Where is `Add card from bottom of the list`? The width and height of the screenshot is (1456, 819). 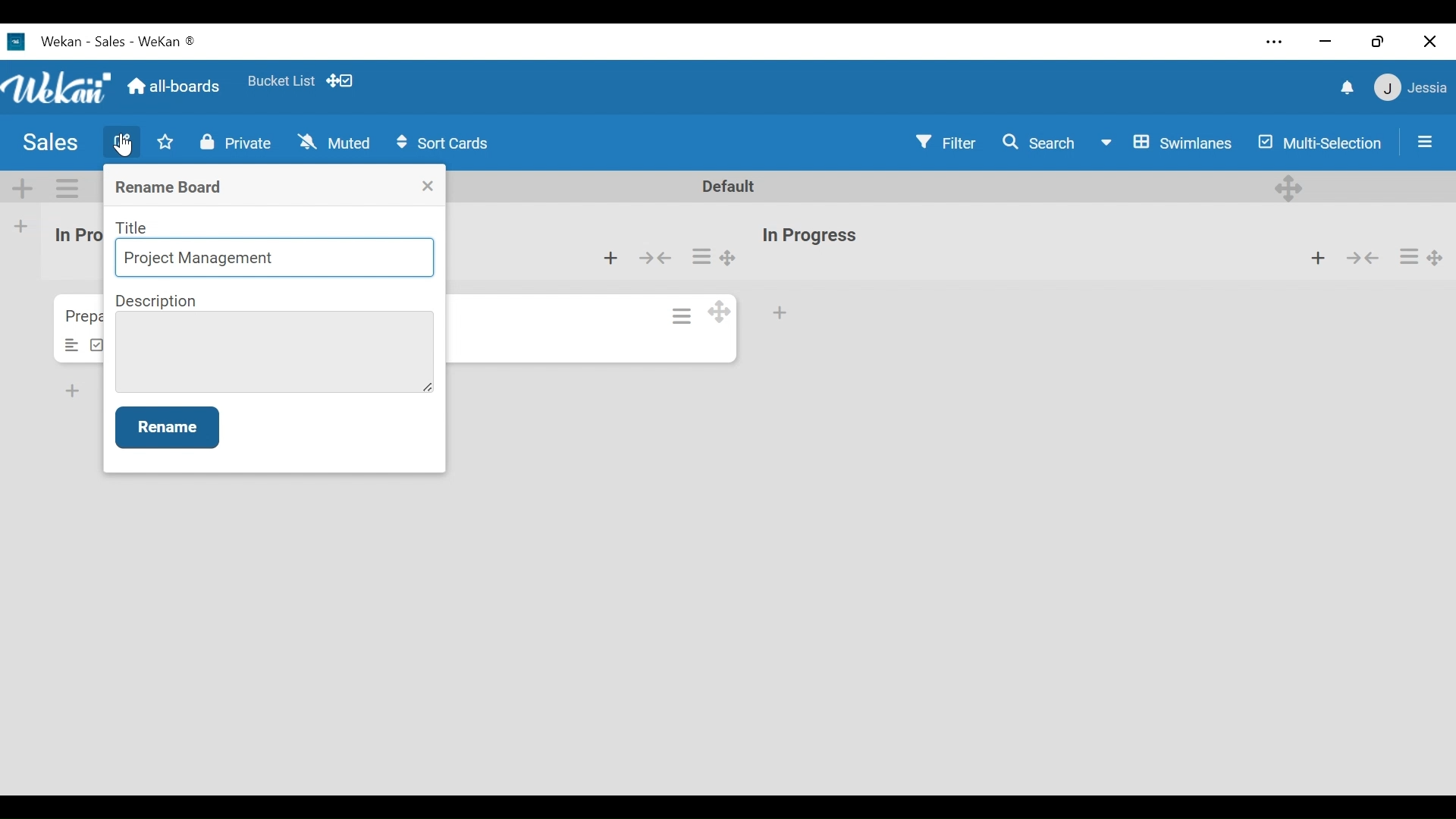
Add card from bottom of the list is located at coordinates (610, 259).